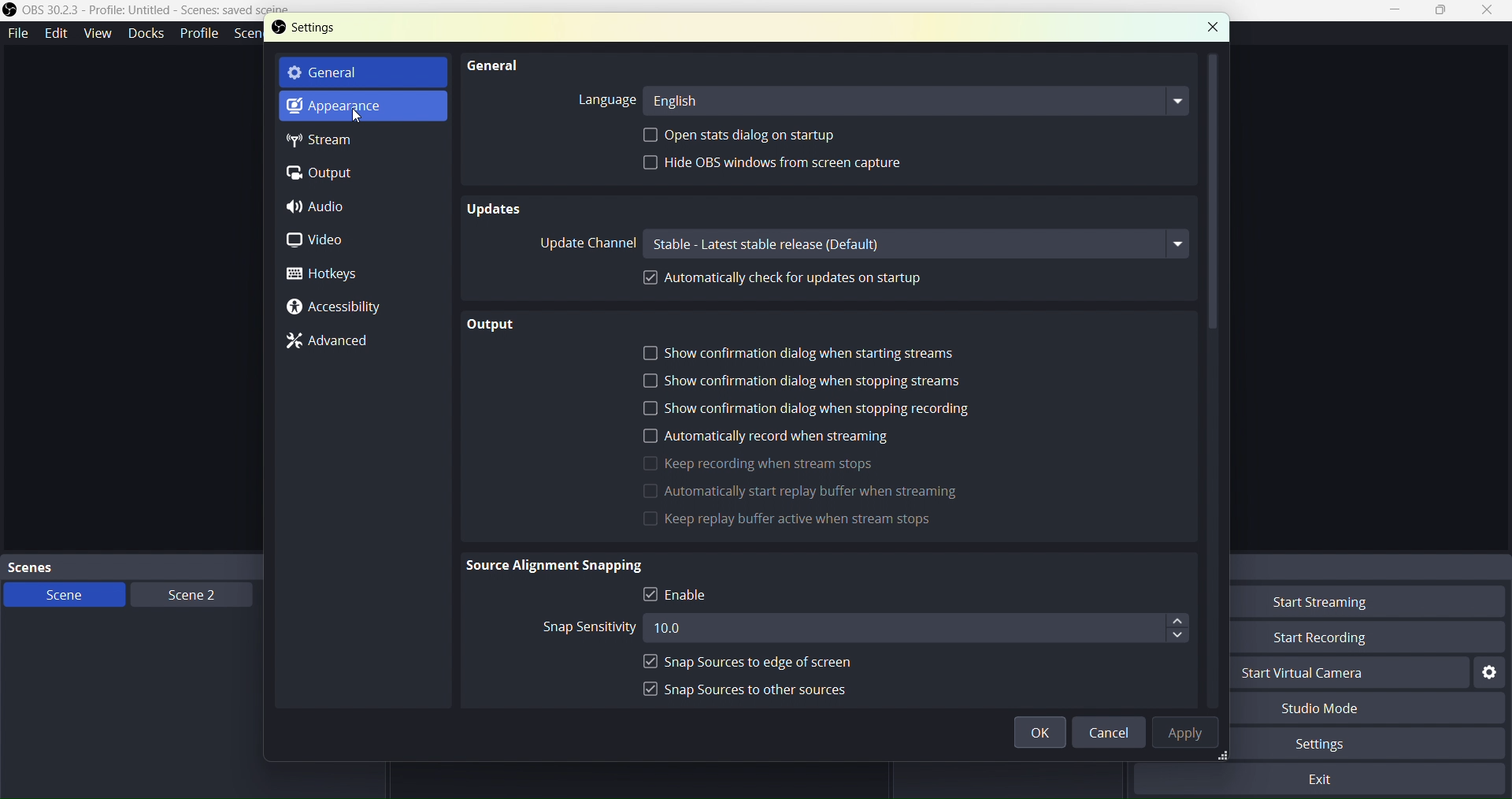  What do you see at coordinates (1044, 732) in the screenshot?
I see `ok` at bounding box center [1044, 732].